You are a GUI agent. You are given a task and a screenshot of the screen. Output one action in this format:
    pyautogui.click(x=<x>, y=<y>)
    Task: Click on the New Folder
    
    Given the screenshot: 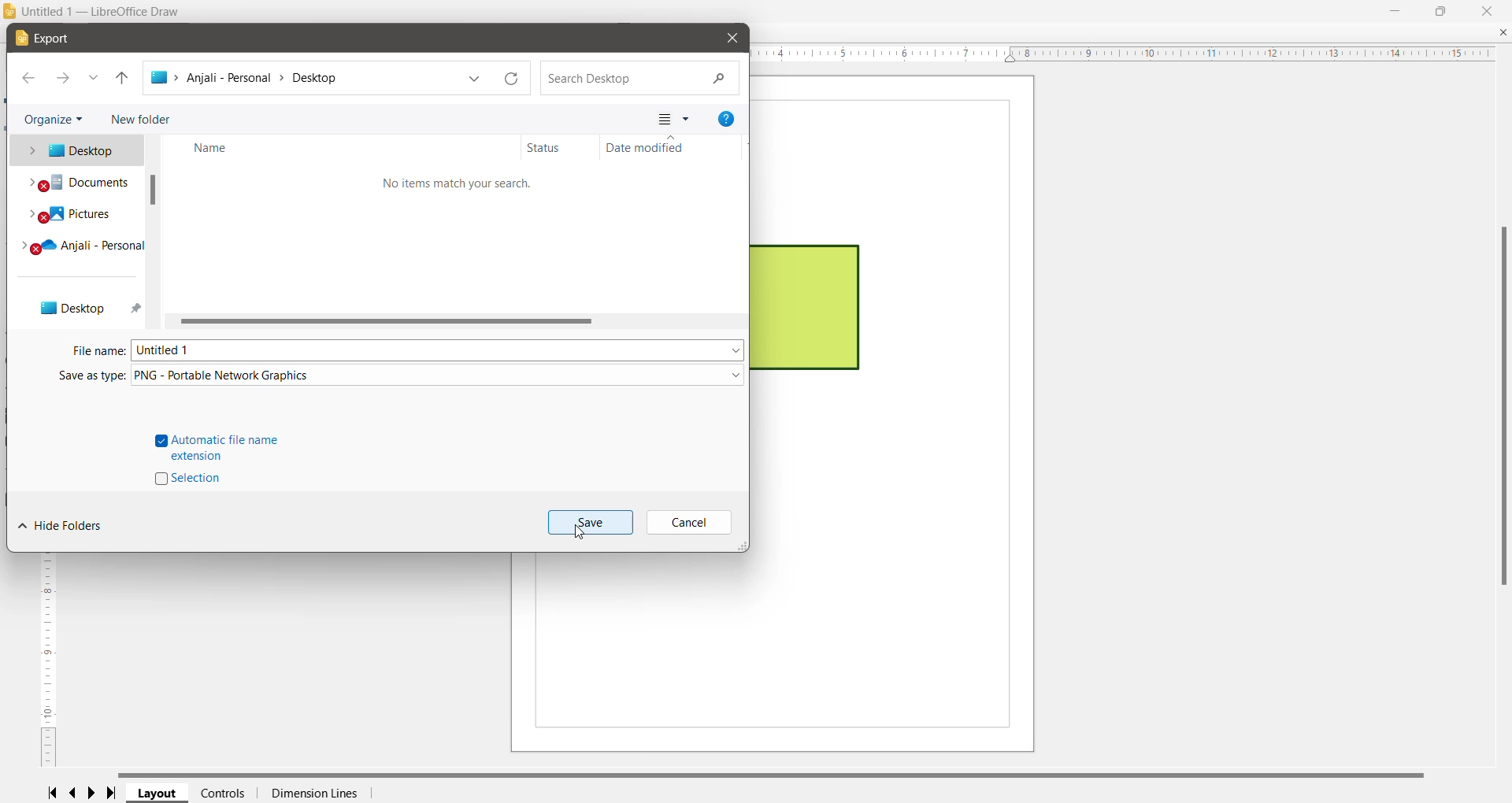 What is the action you would take?
    pyautogui.click(x=139, y=117)
    